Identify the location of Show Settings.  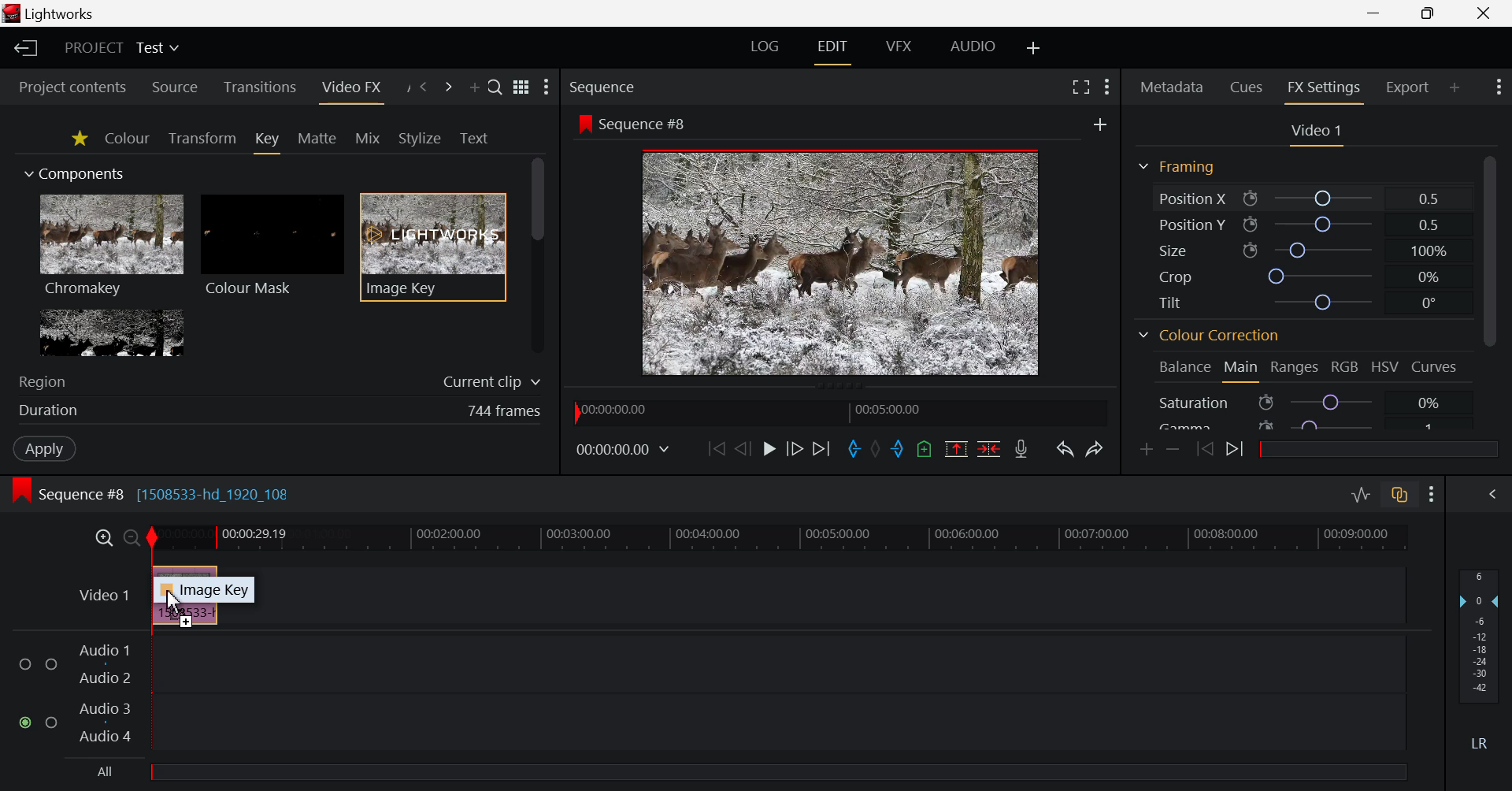
(1429, 493).